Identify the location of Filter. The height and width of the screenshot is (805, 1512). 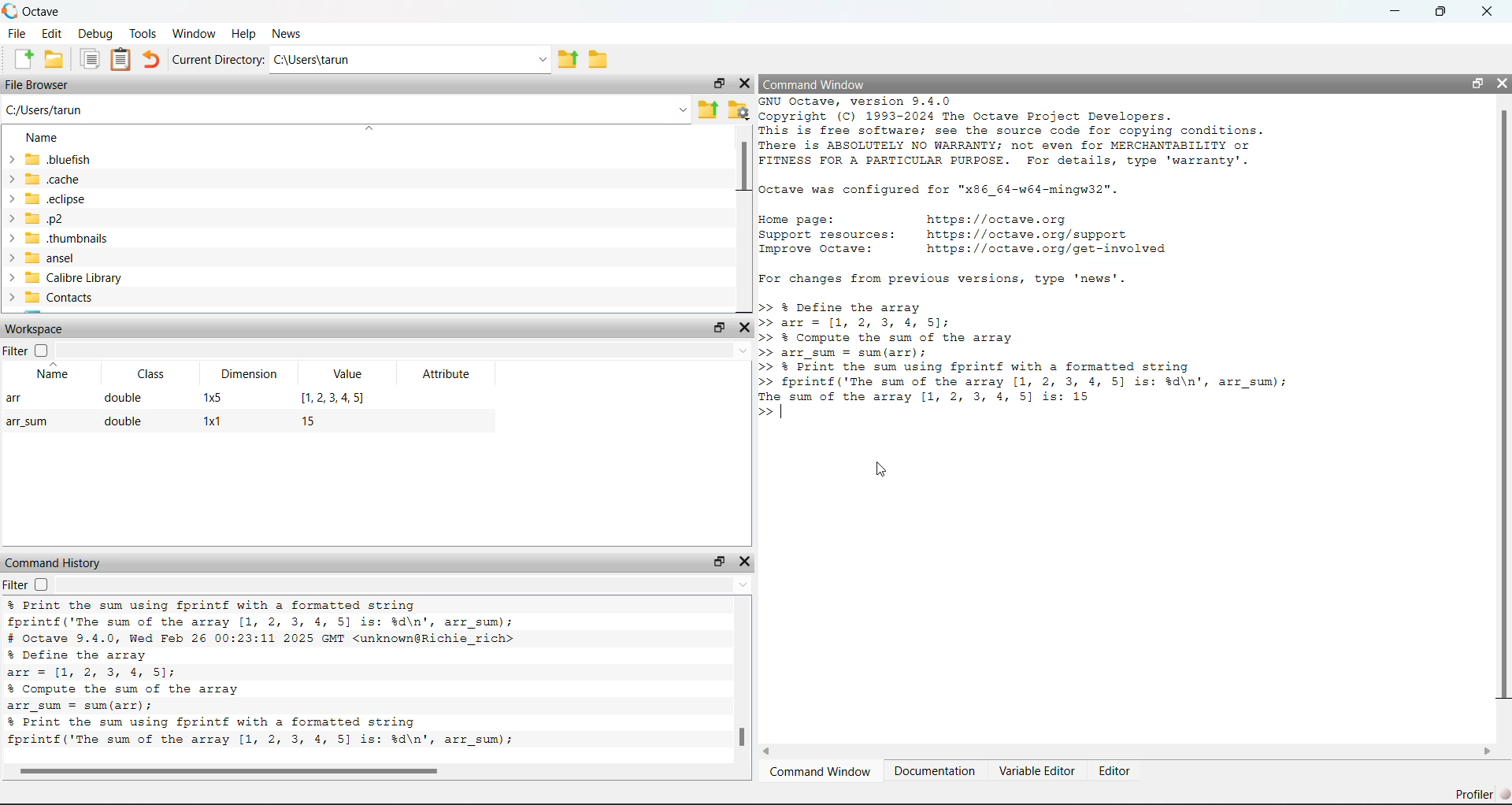
(15, 584).